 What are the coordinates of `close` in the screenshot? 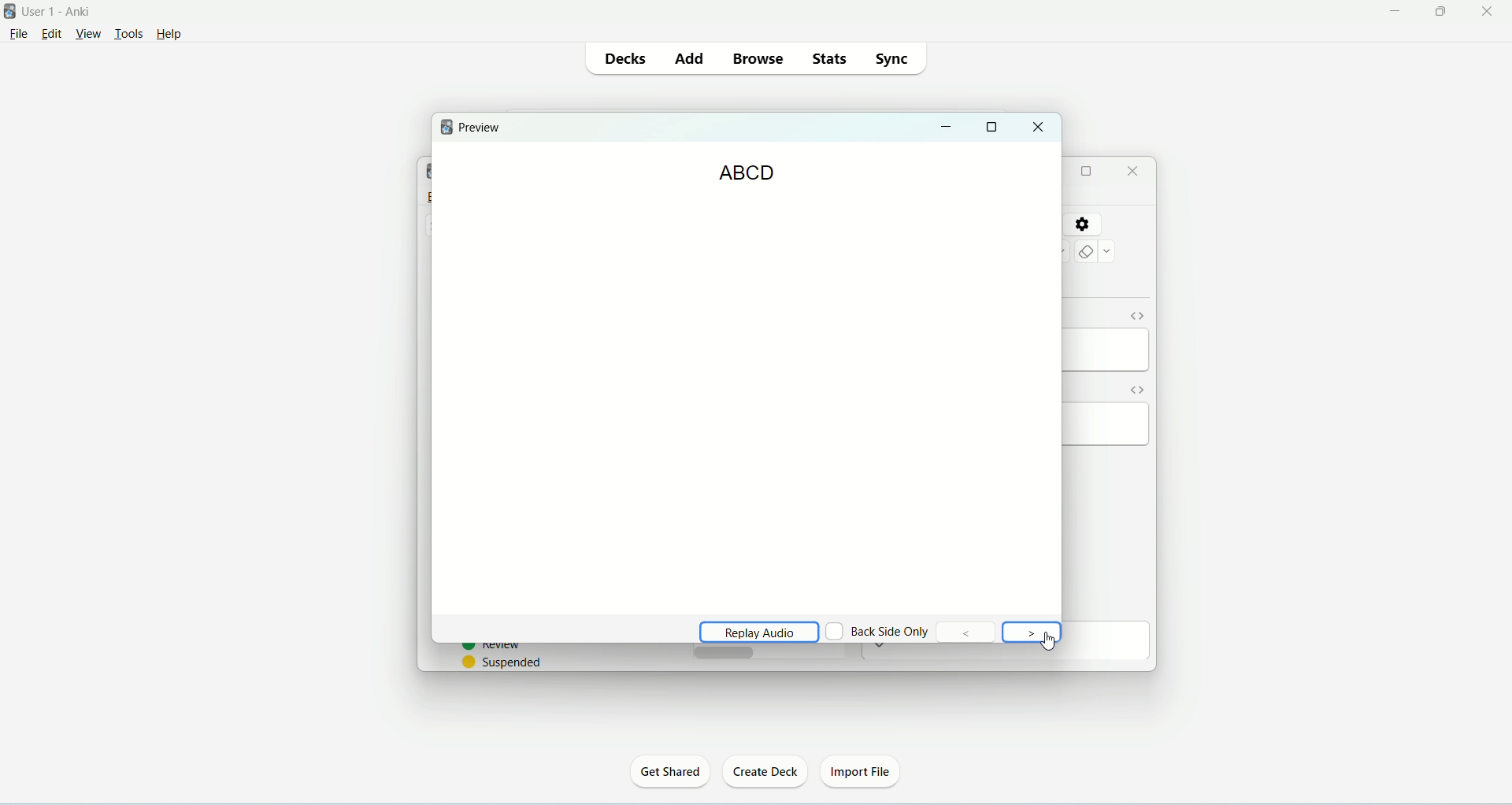 It's located at (1489, 10).